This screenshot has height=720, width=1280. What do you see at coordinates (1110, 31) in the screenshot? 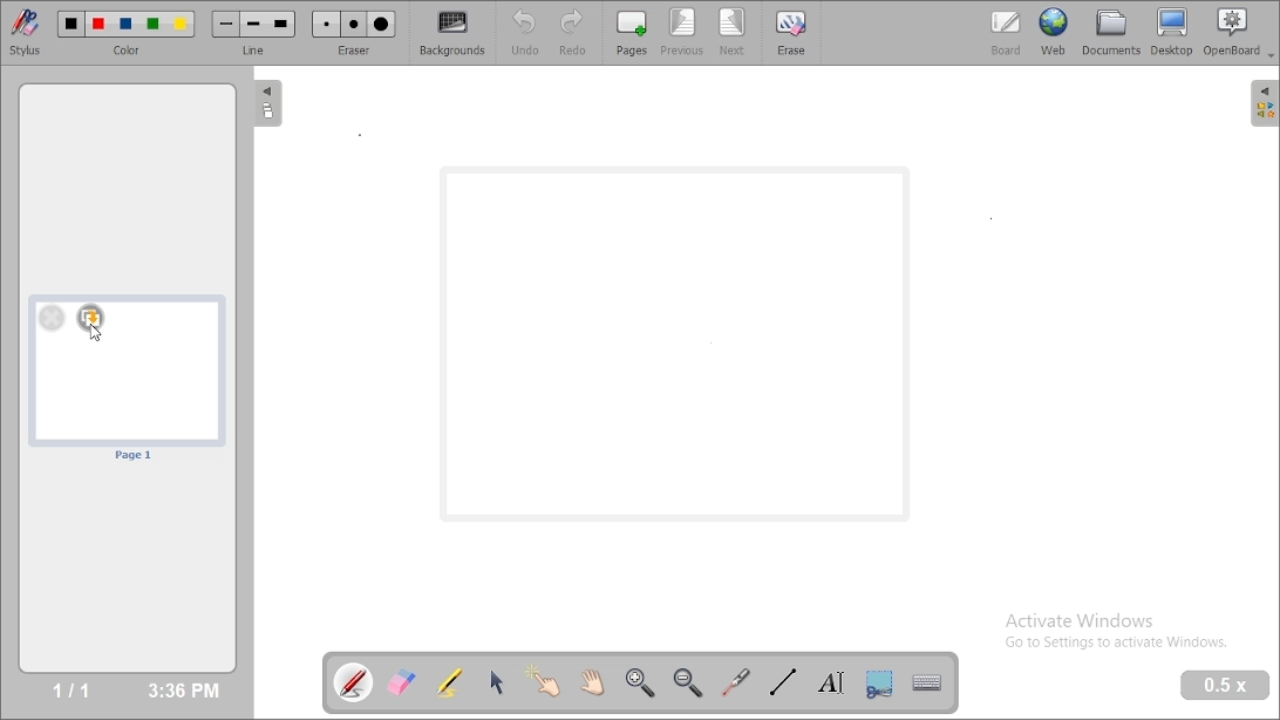
I see `documents` at bounding box center [1110, 31].